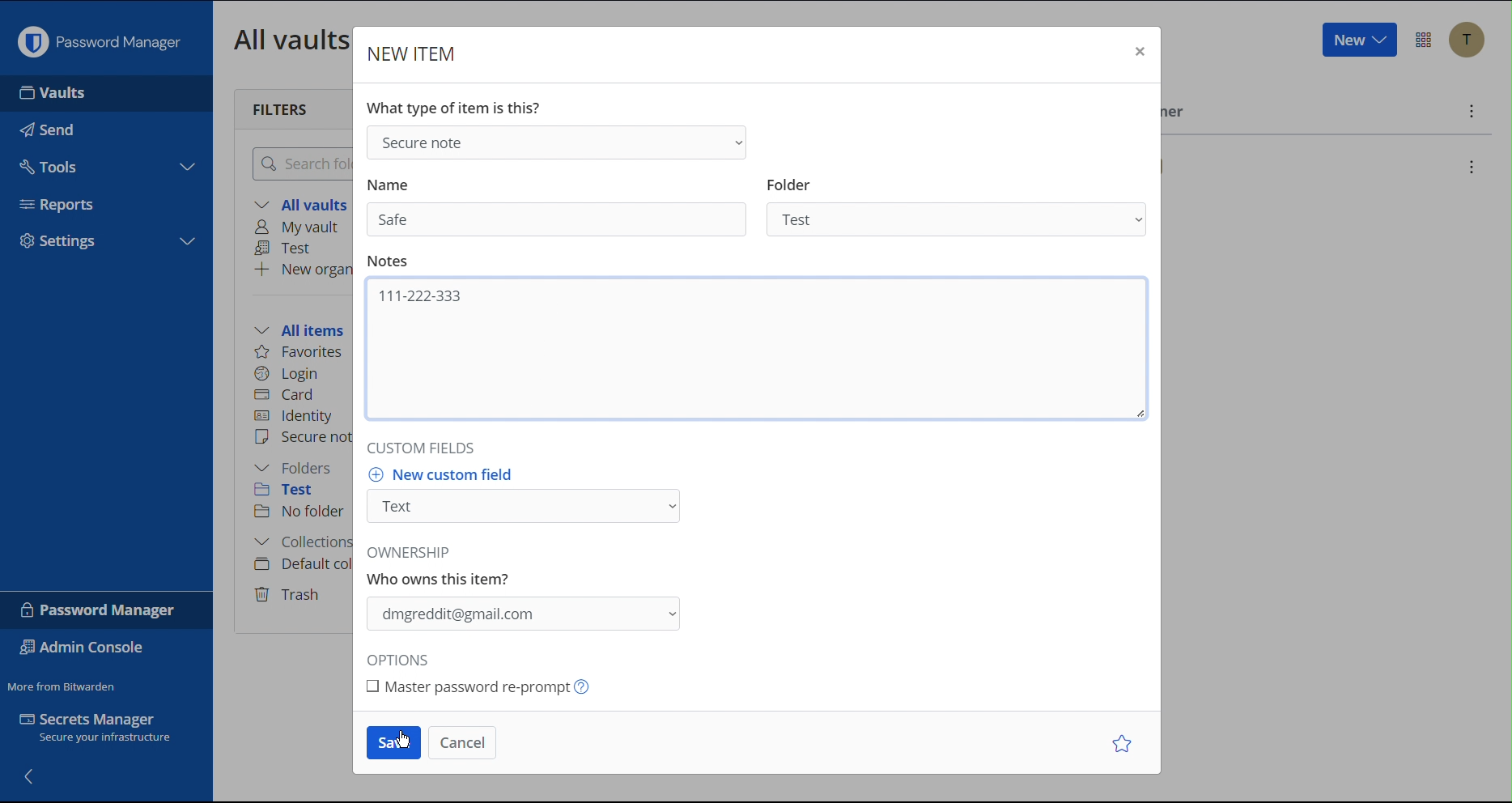 The width and height of the screenshot is (1512, 803). What do you see at coordinates (418, 295) in the screenshot?
I see `111-222-333` at bounding box center [418, 295].